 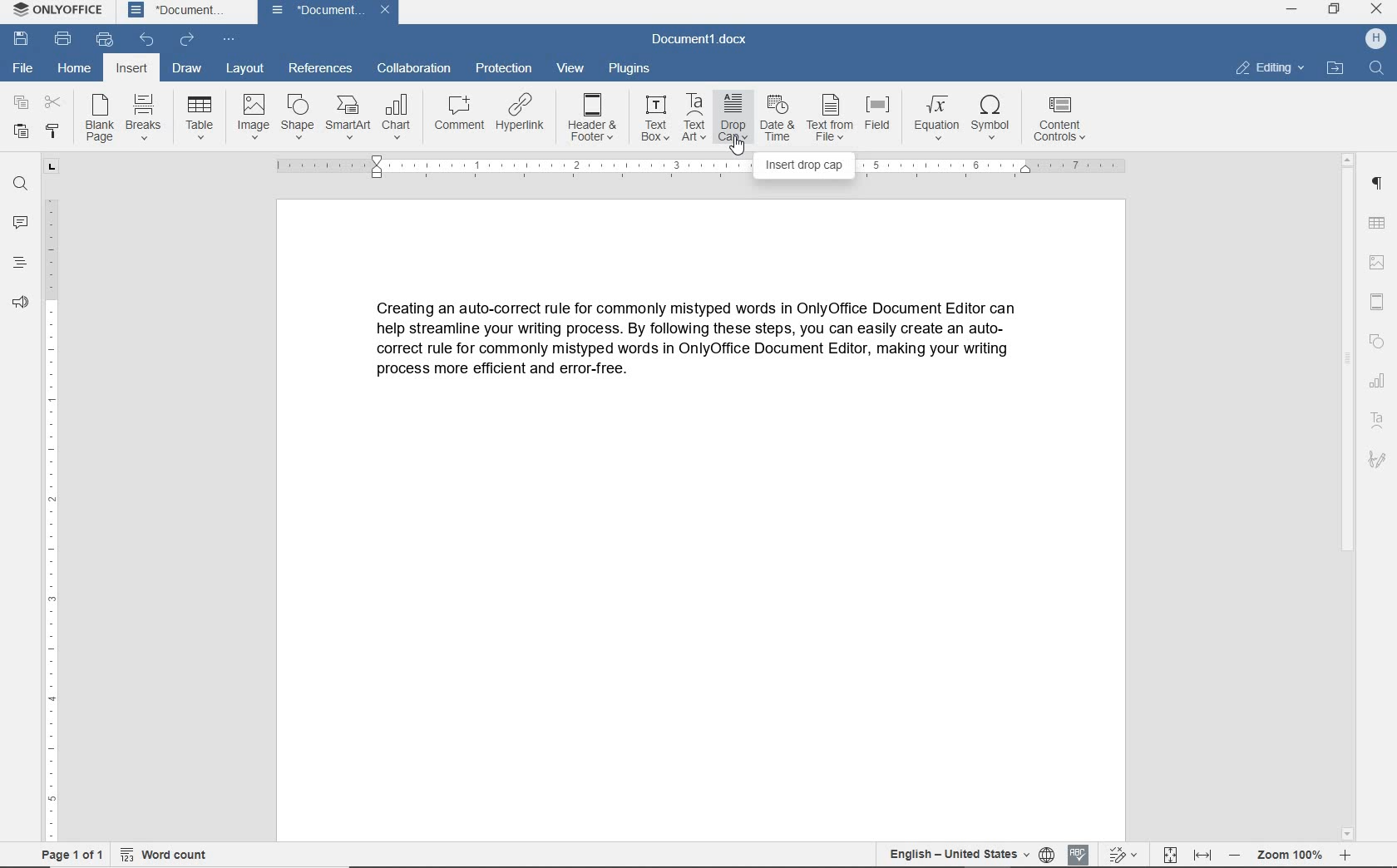 What do you see at coordinates (186, 67) in the screenshot?
I see `draw` at bounding box center [186, 67].